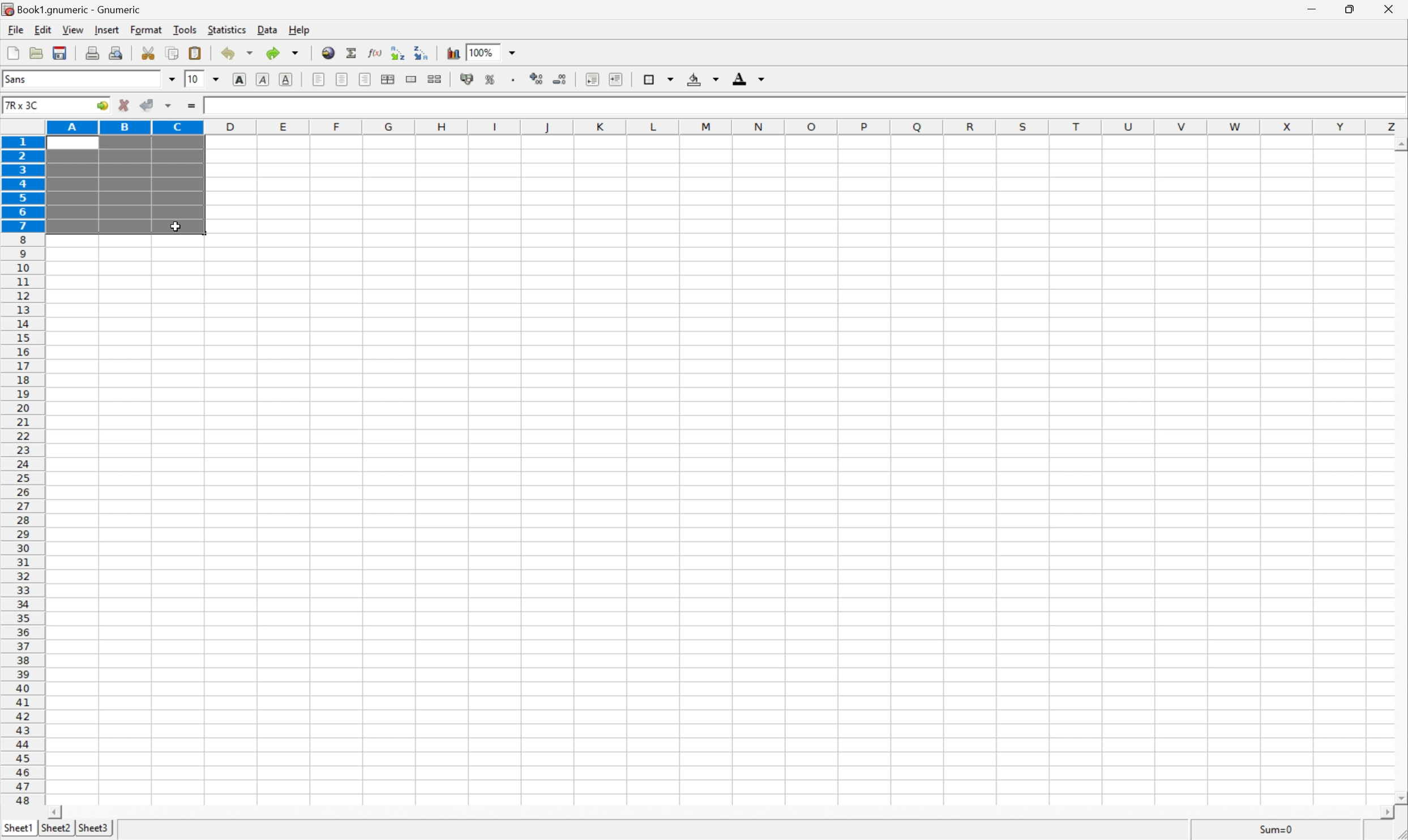 Image resolution: width=1408 pixels, height=840 pixels. I want to click on statistics, so click(227, 31).